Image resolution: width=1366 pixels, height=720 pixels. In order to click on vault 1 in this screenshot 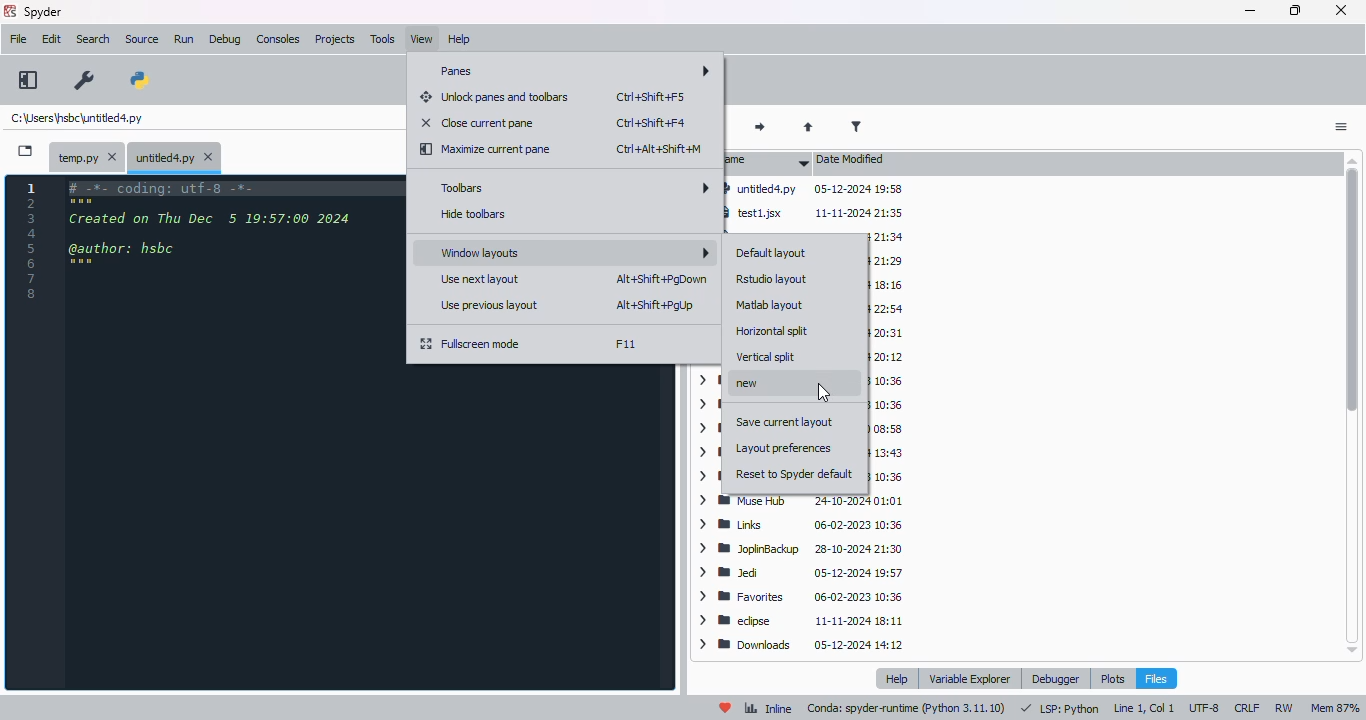, I will do `click(888, 358)`.